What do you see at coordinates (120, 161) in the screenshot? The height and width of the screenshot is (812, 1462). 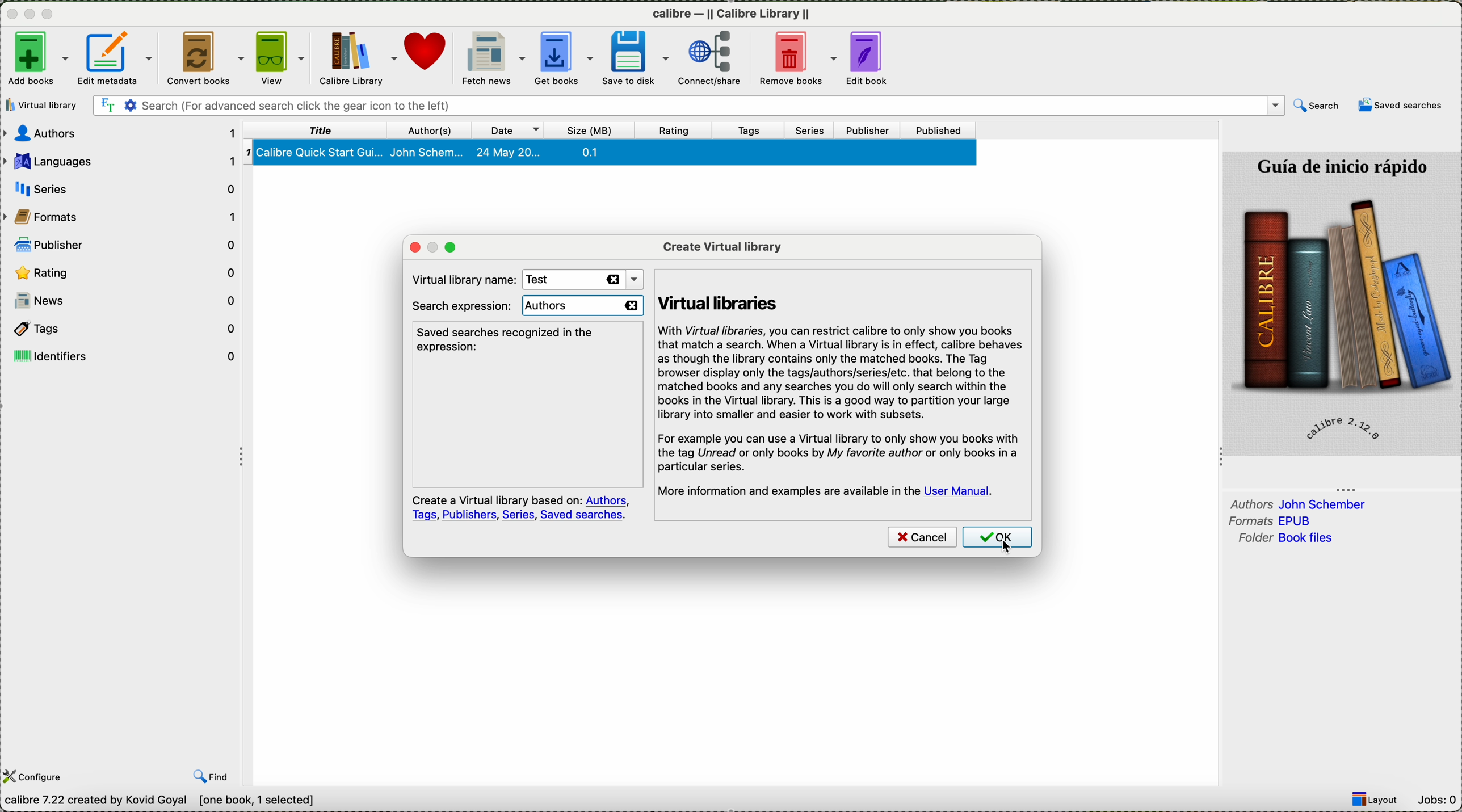 I see `languages` at bounding box center [120, 161].